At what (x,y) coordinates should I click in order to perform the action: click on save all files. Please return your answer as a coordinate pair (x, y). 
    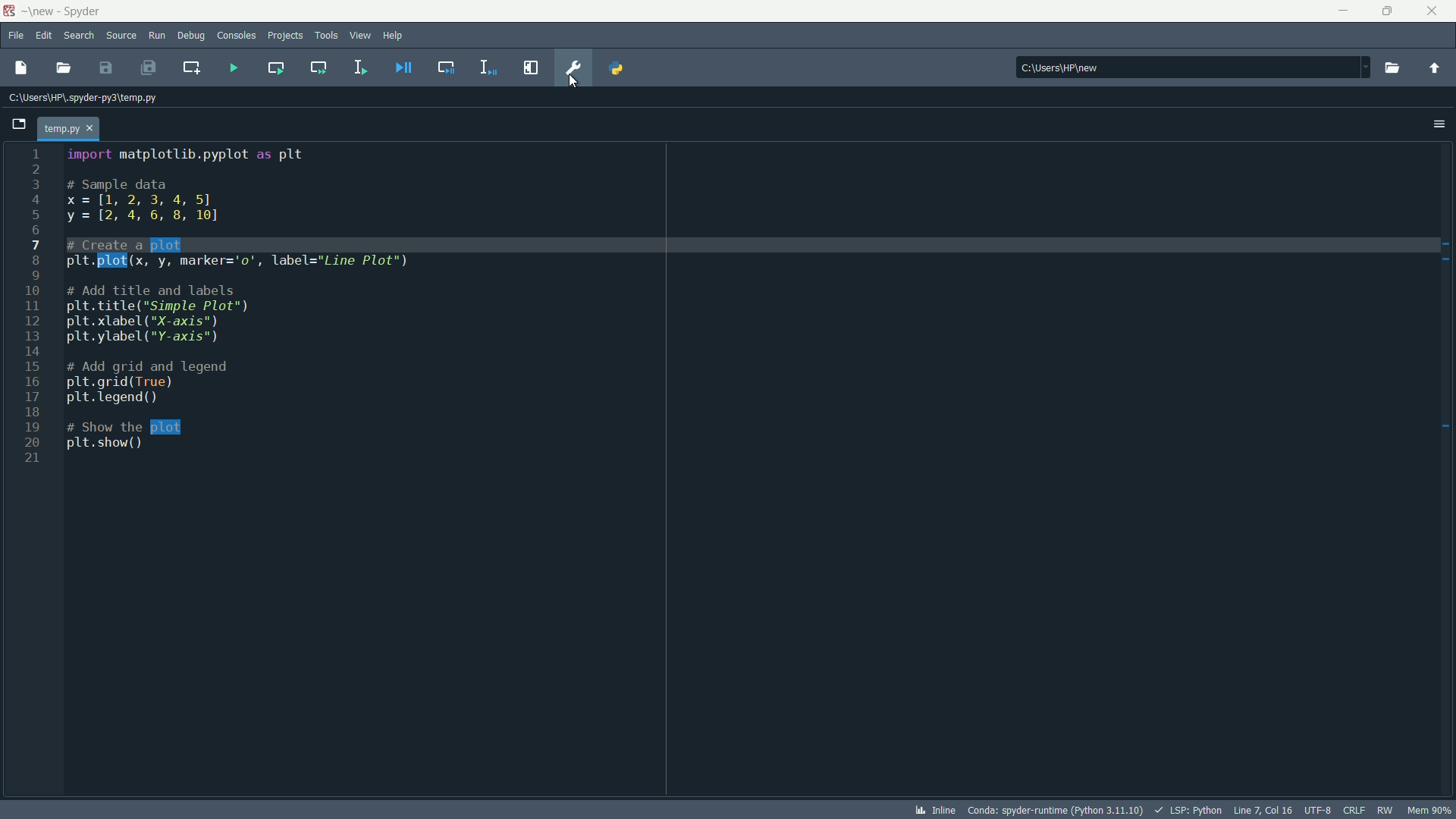
    Looking at the image, I should click on (149, 67).